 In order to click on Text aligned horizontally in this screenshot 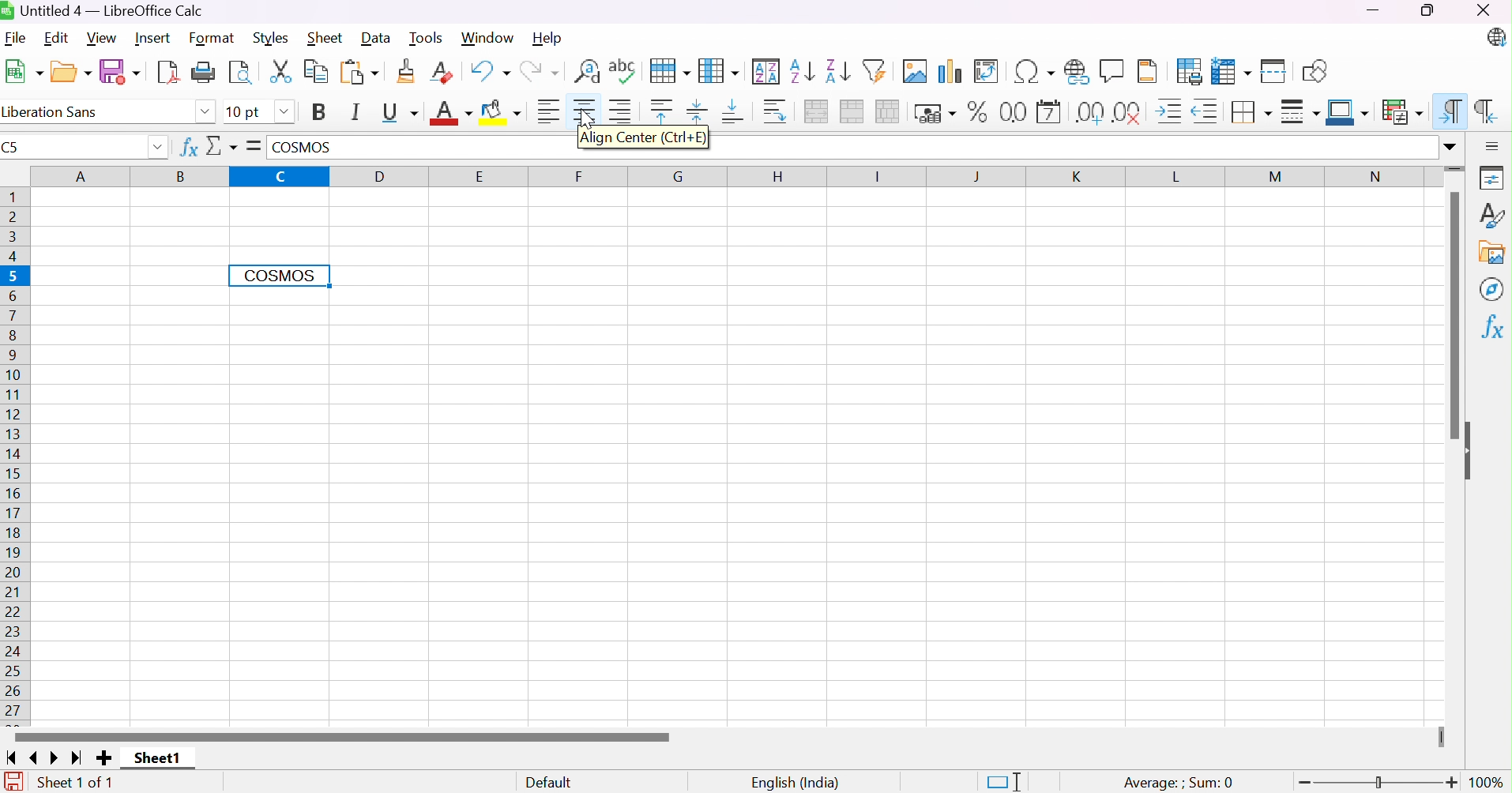, I will do `click(278, 275)`.